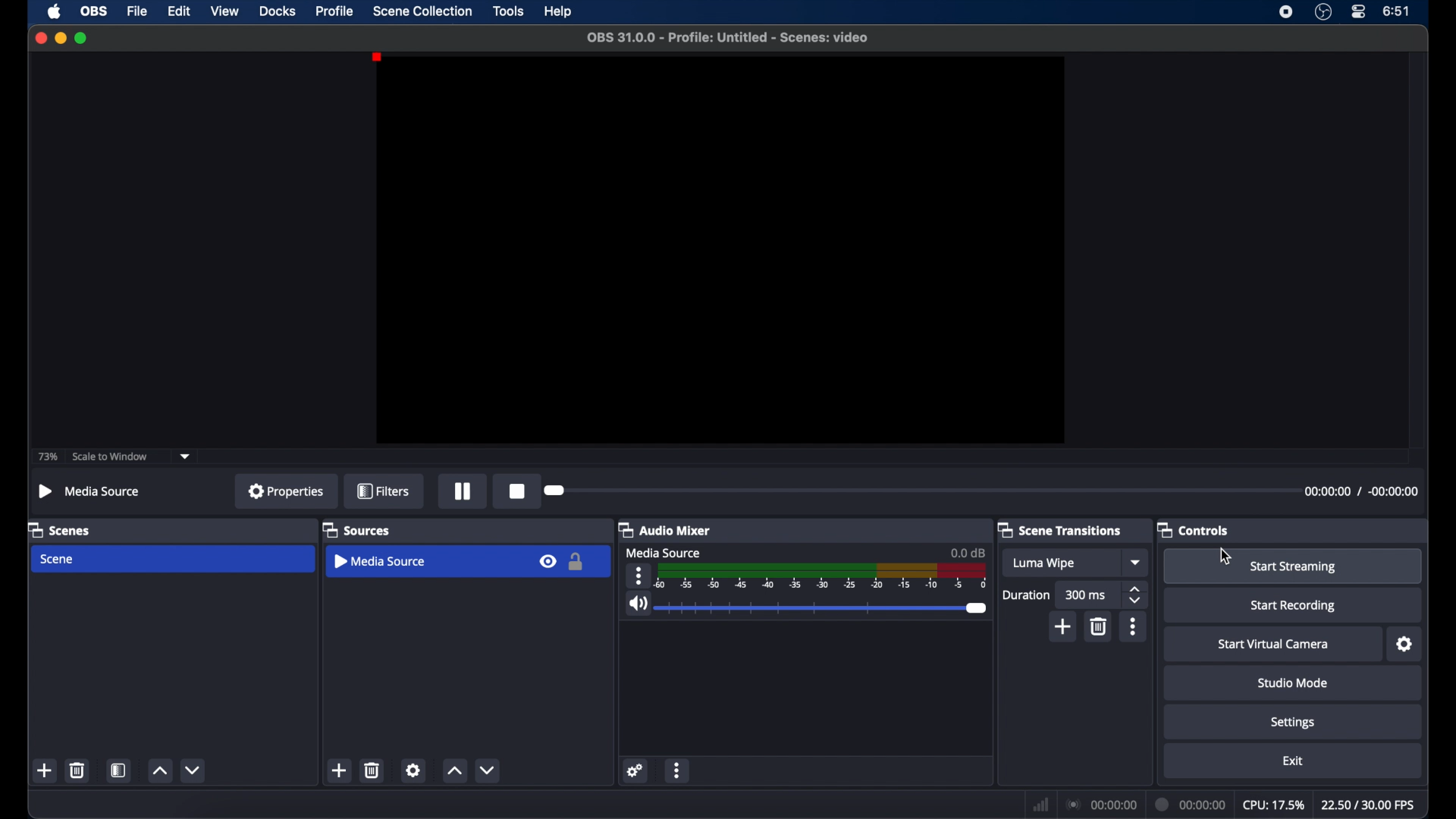 Image resolution: width=1456 pixels, height=819 pixels. Describe the element at coordinates (224, 12) in the screenshot. I see `view` at that location.